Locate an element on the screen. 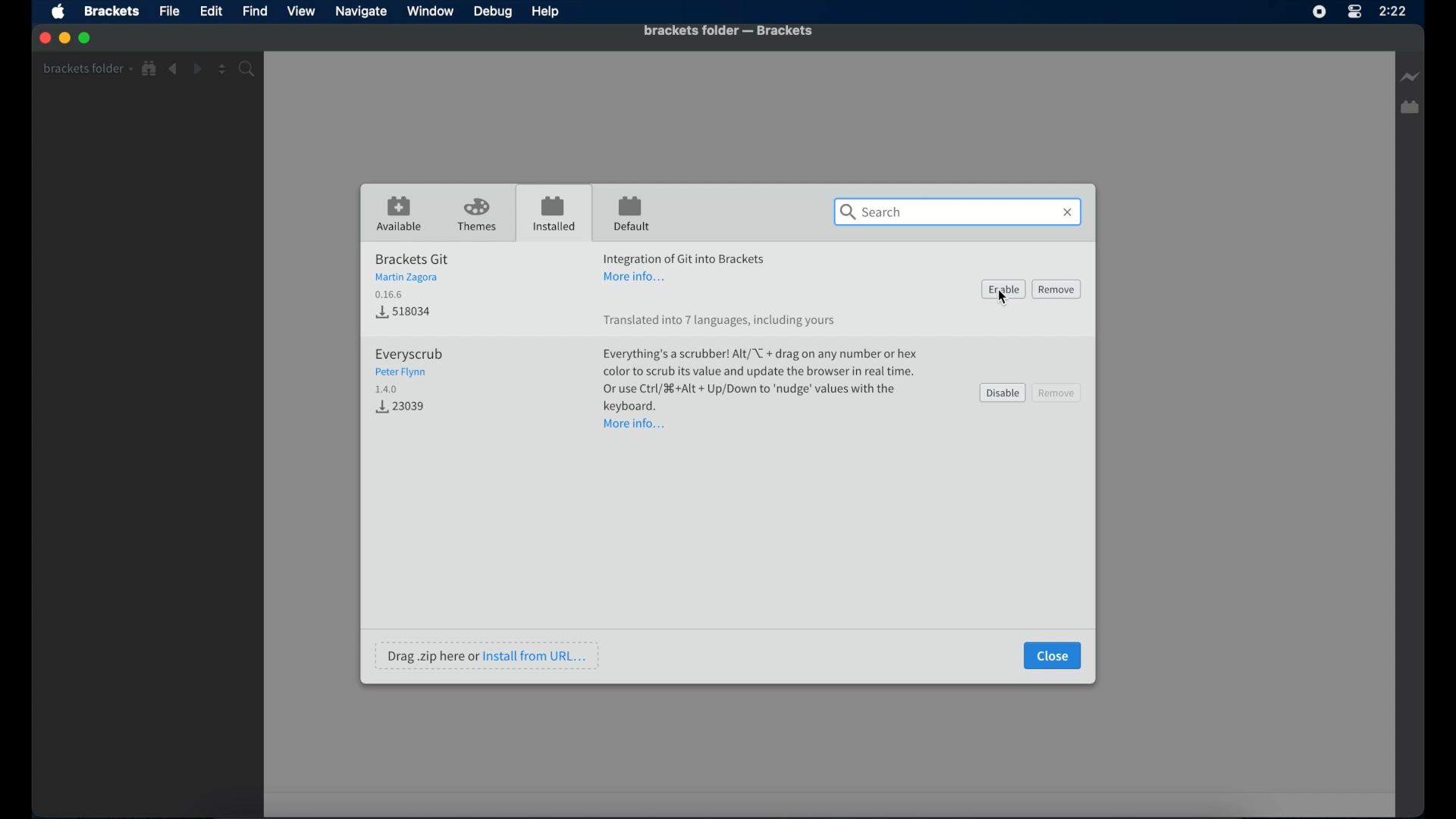  brackets is located at coordinates (111, 12).